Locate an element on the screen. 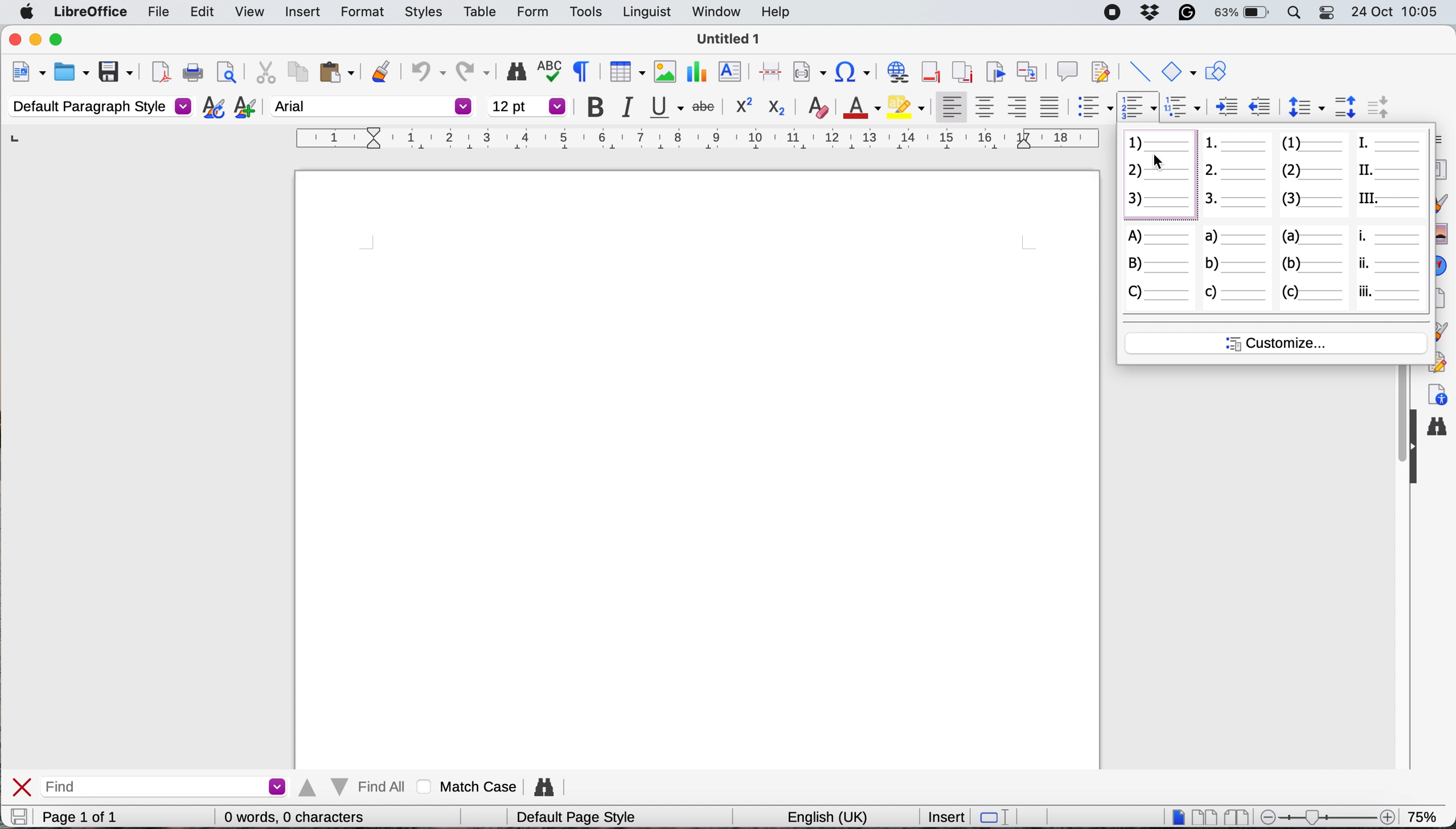 This screenshot has height=829, width=1456. tools is located at coordinates (585, 12).